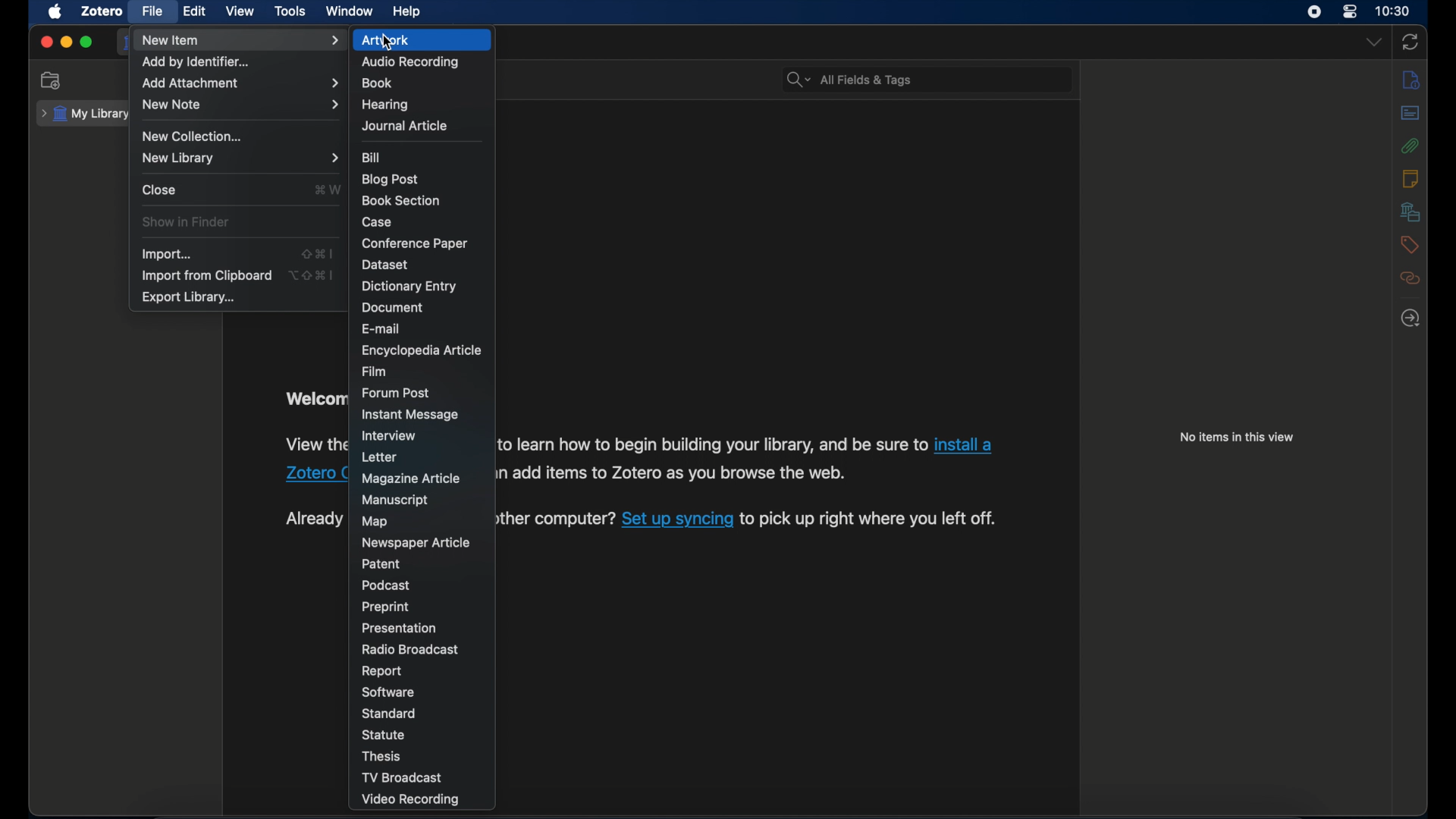 The width and height of the screenshot is (1456, 819). Describe the element at coordinates (678, 520) in the screenshot. I see `set up` at that location.